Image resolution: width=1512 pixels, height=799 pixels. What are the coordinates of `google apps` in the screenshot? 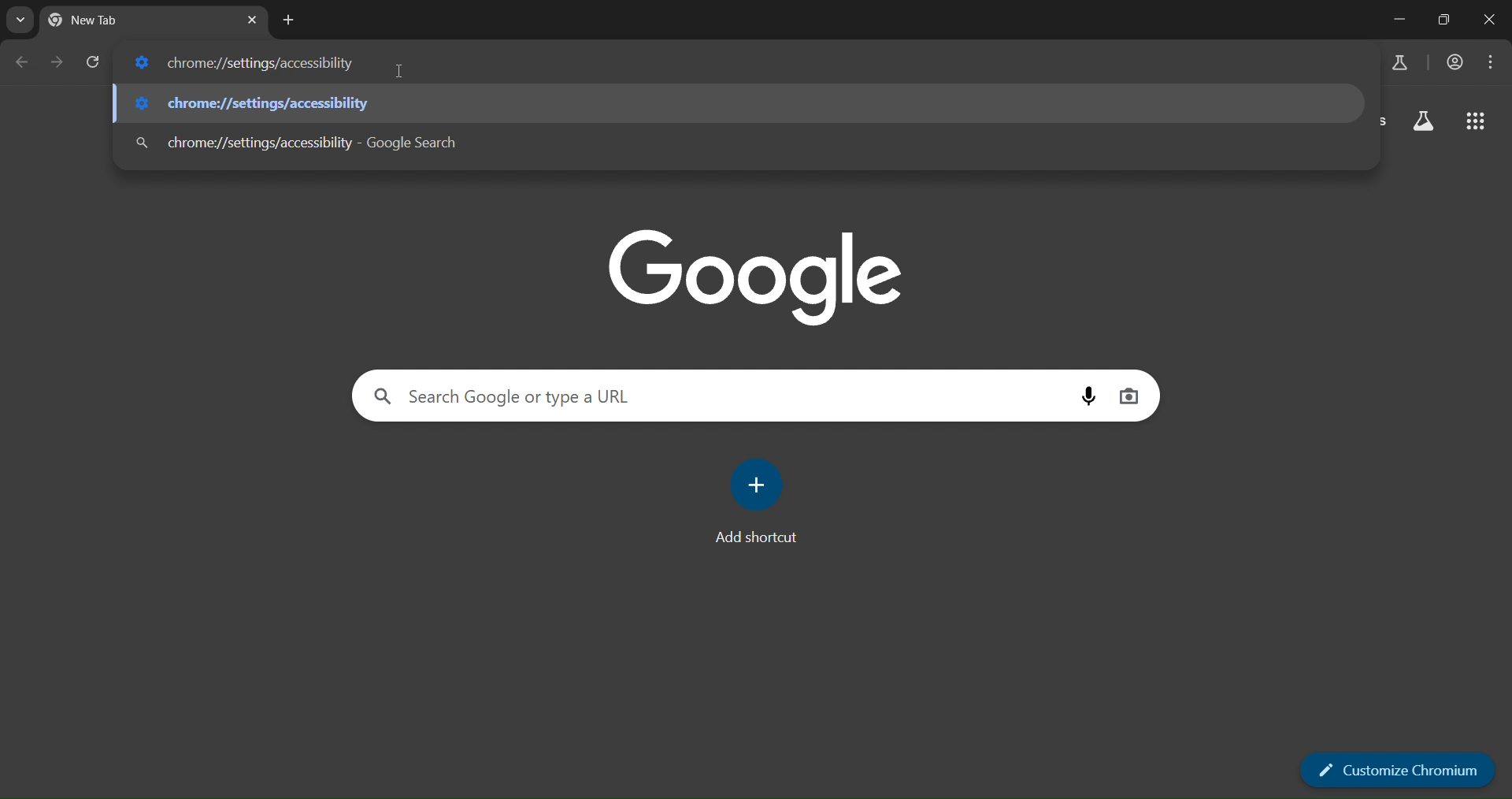 It's located at (1475, 122).